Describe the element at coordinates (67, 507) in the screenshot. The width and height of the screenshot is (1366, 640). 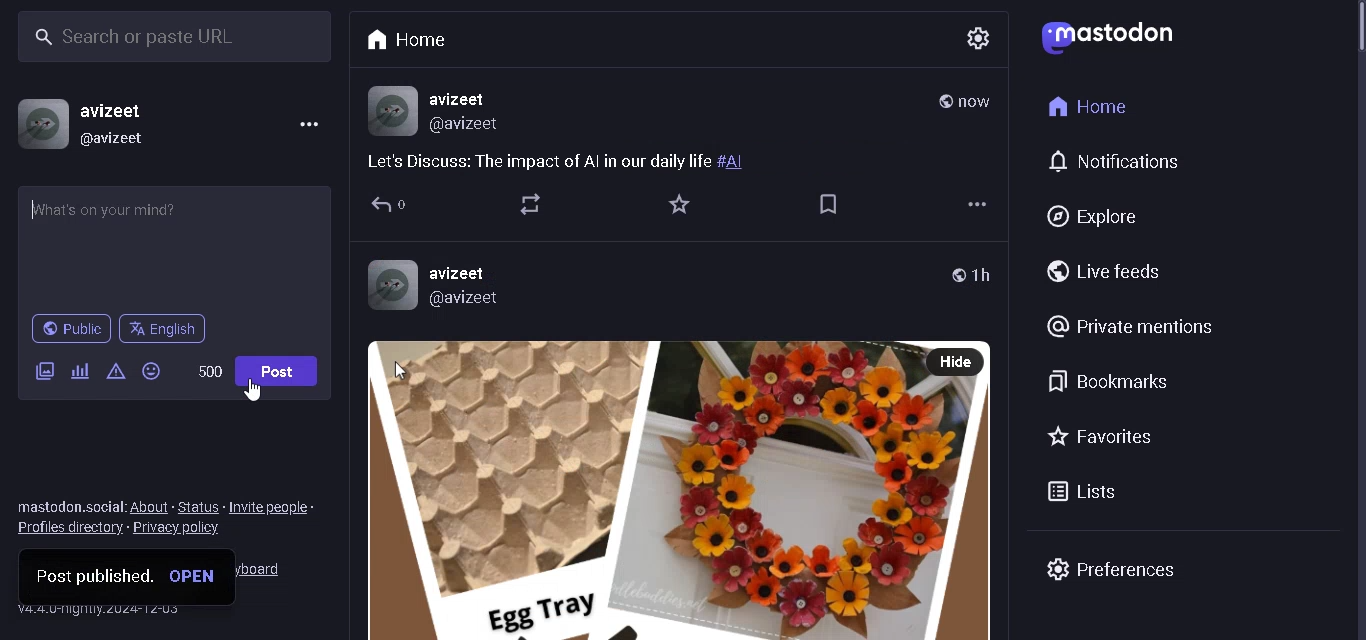
I see `TEXT` at that location.